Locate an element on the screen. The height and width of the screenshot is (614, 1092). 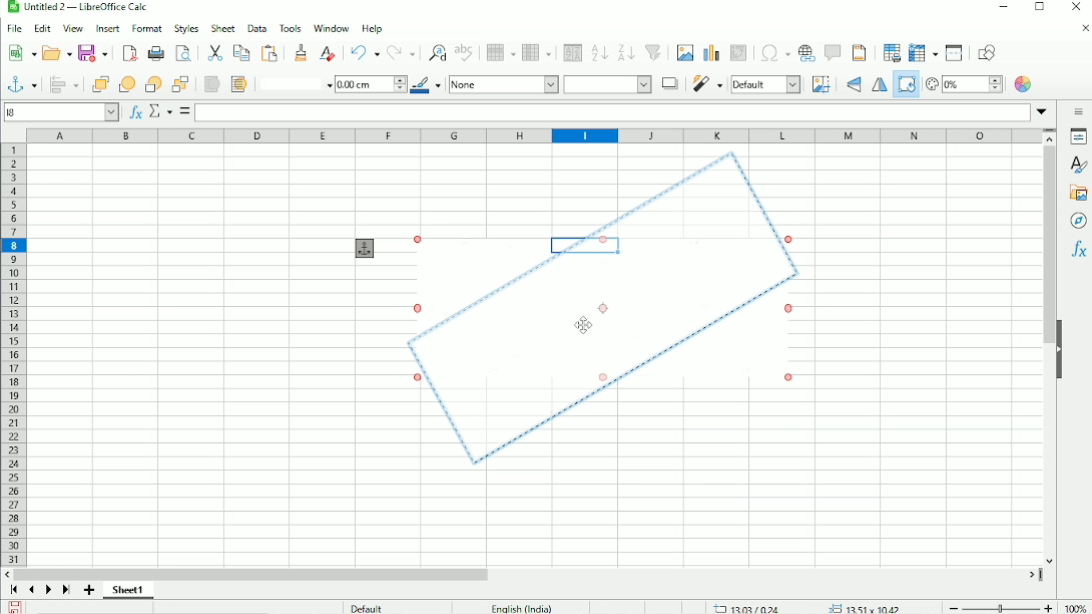
Functions is located at coordinates (1077, 250).